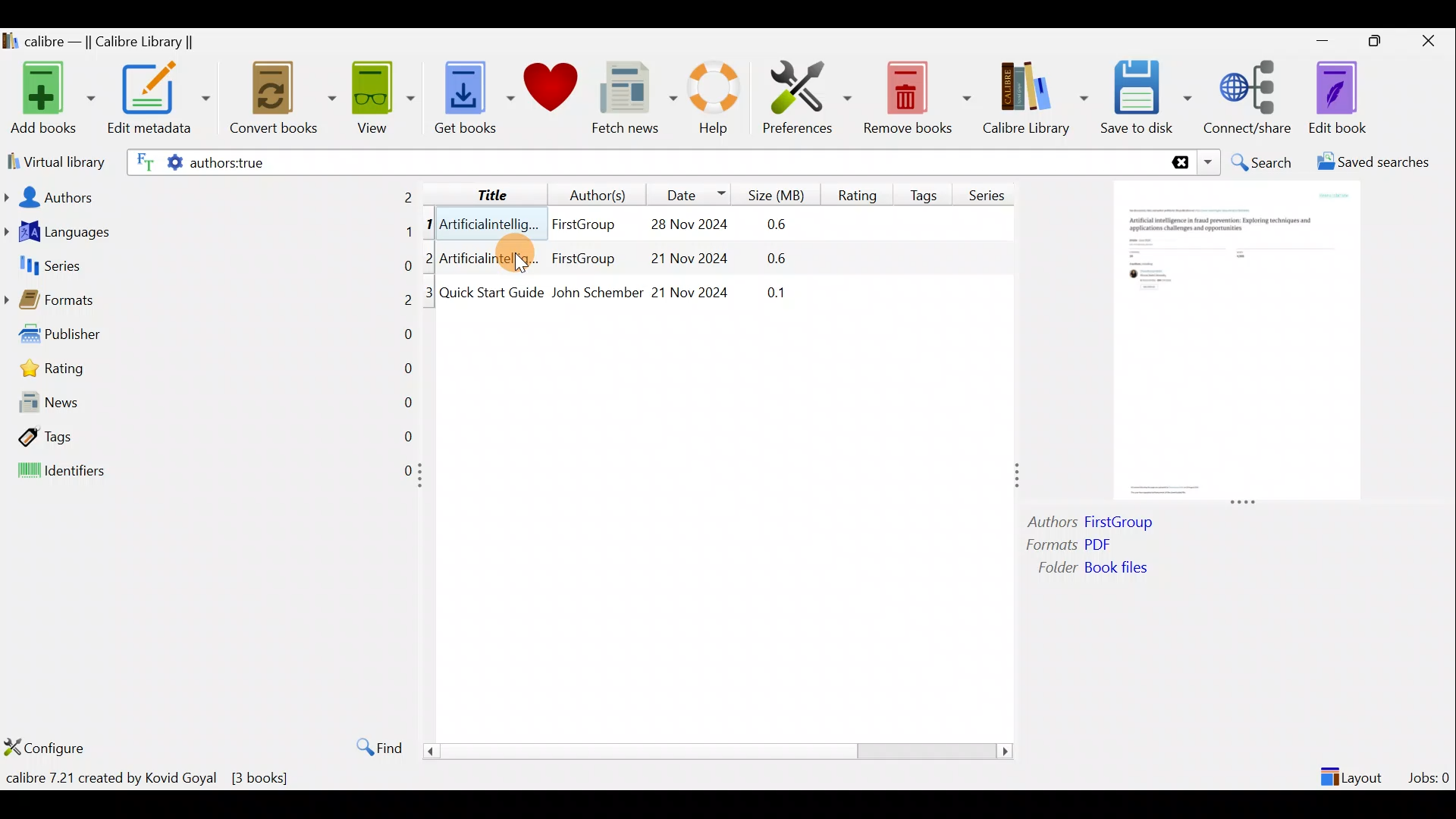 Image resolution: width=1456 pixels, height=819 pixels. I want to click on View, so click(381, 96).